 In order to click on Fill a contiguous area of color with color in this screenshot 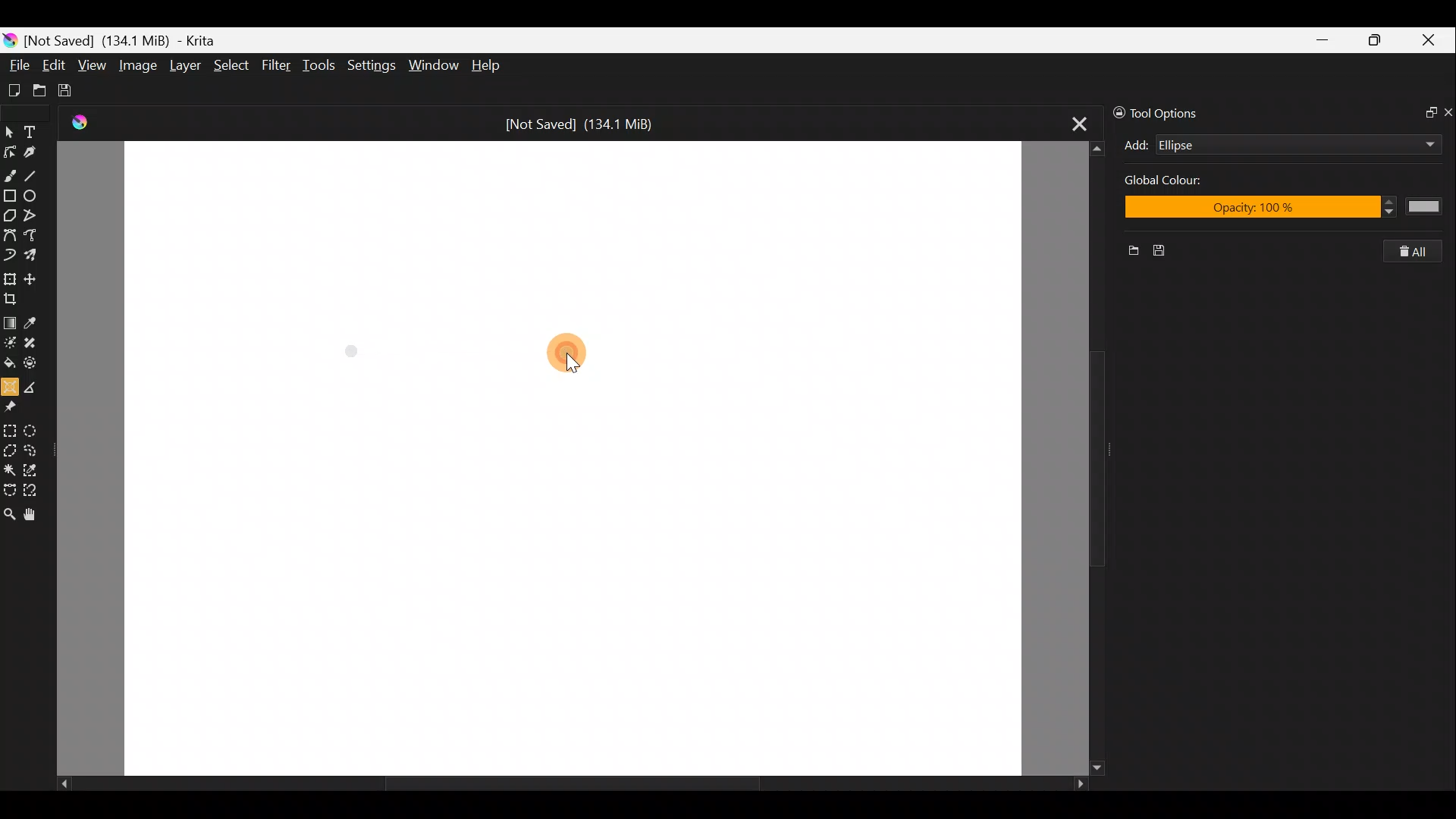, I will do `click(9, 363)`.